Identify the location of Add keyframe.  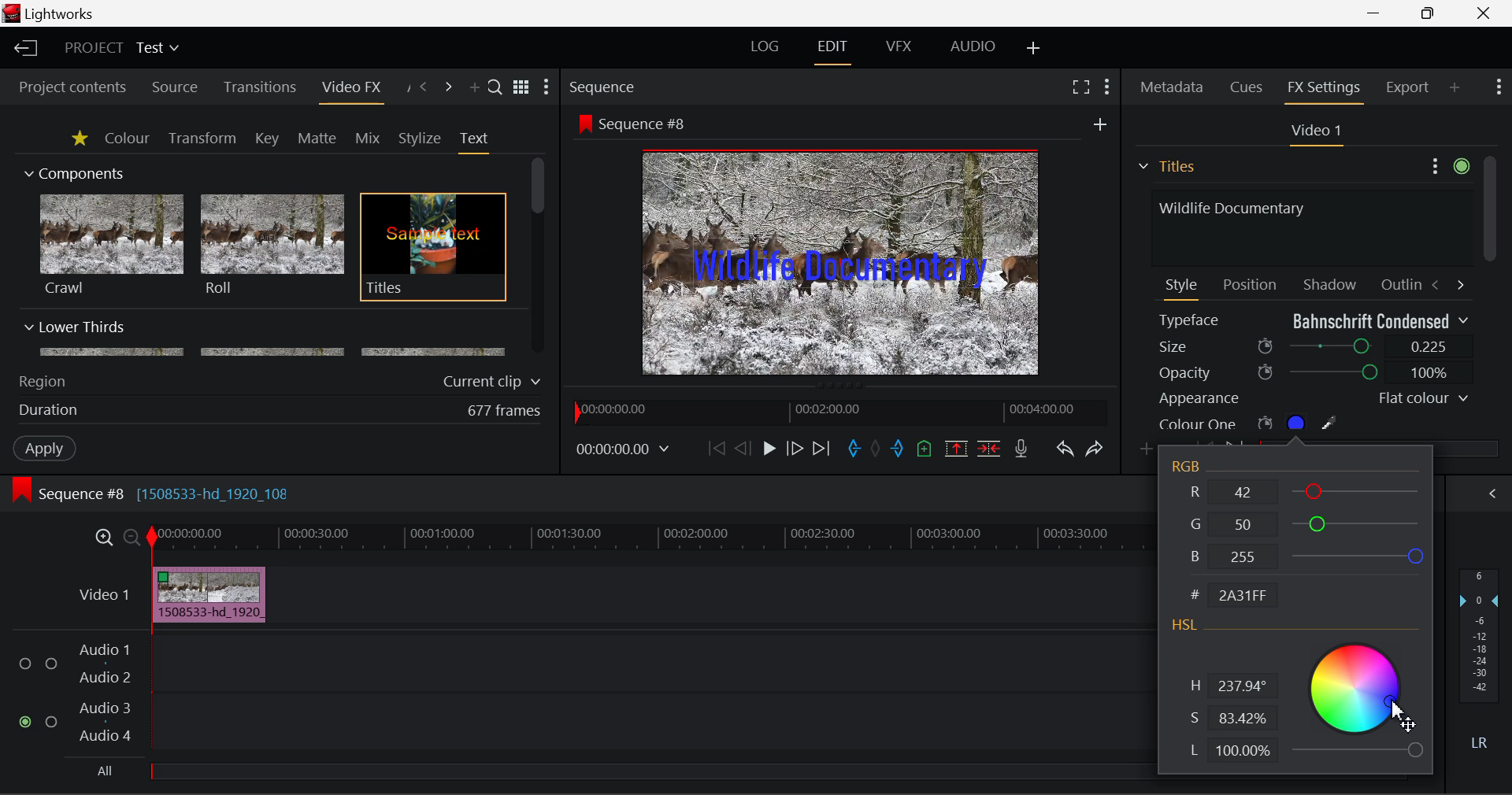
(1148, 450).